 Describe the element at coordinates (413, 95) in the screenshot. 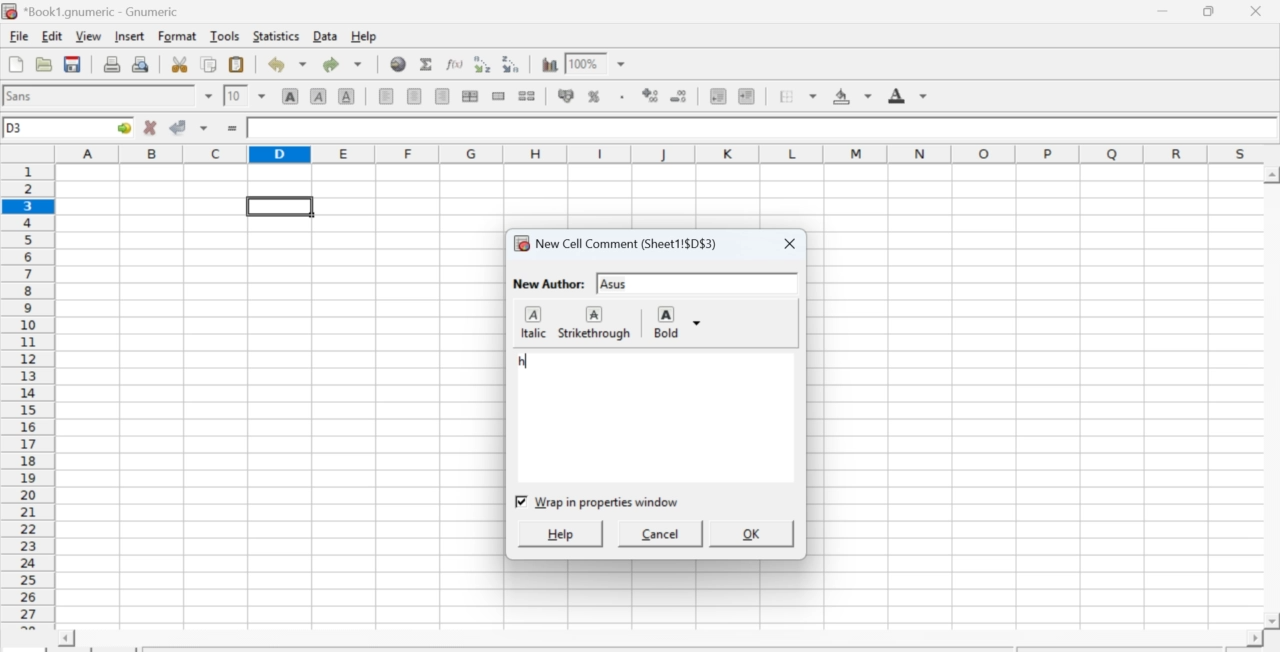

I see `Center horizontally` at that location.